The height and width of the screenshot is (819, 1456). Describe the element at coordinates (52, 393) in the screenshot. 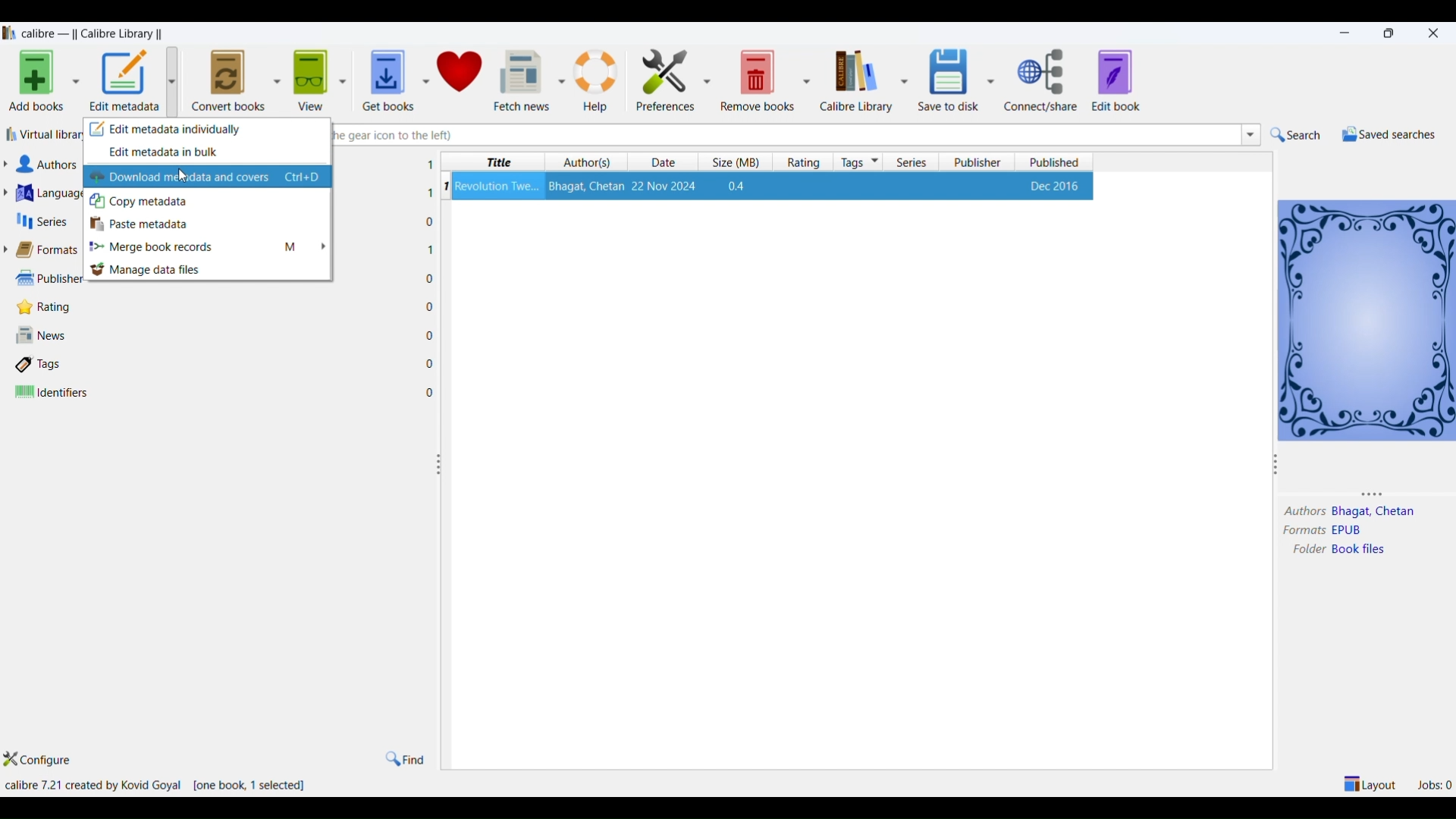

I see `identifiers and number of identifiers` at that location.